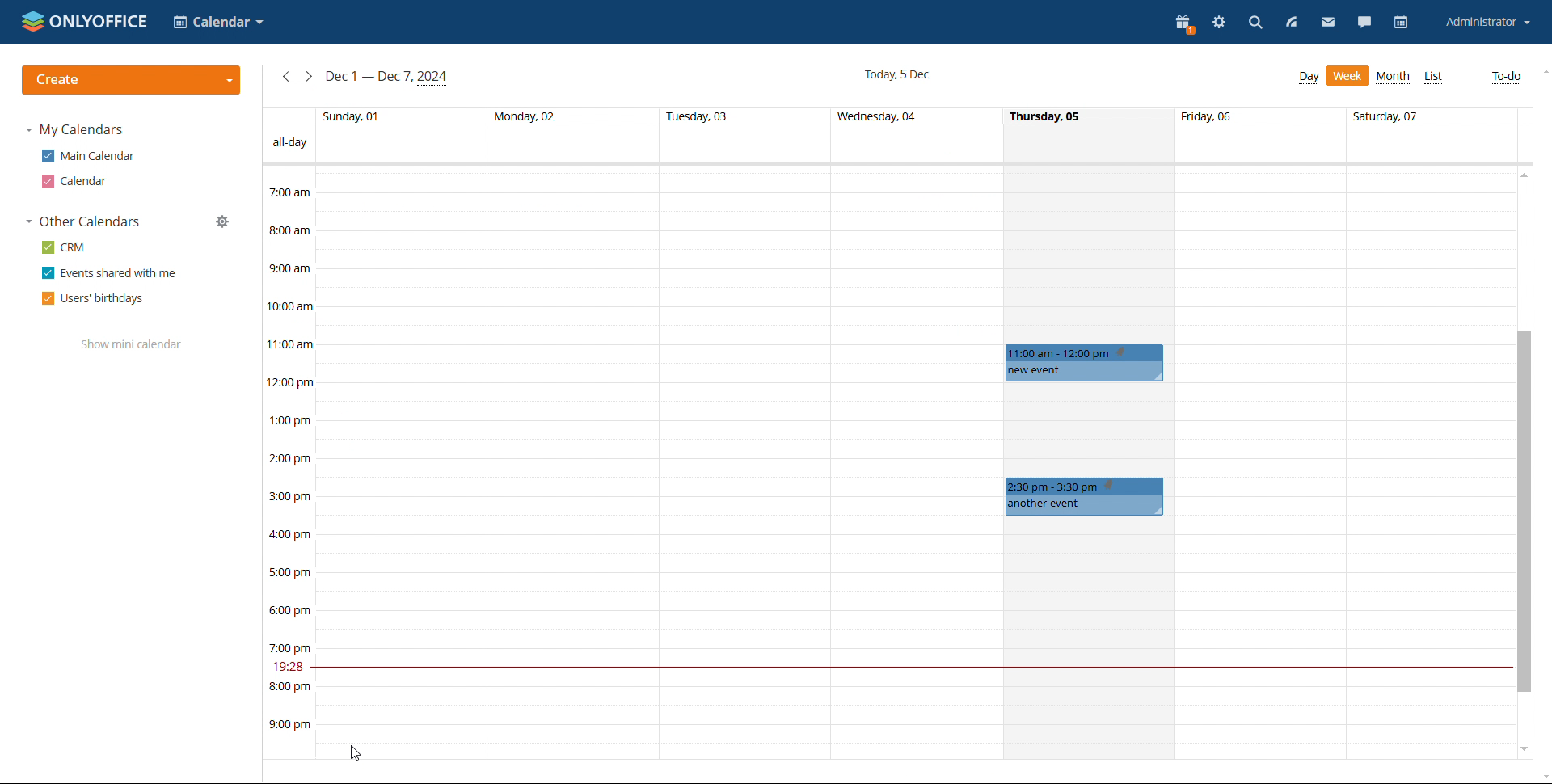 Image resolution: width=1552 pixels, height=784 pixels. What do you see at coordinates (289, 687) in the screenshot?
I see `8:00 pm` at bounding box center [289, 687].